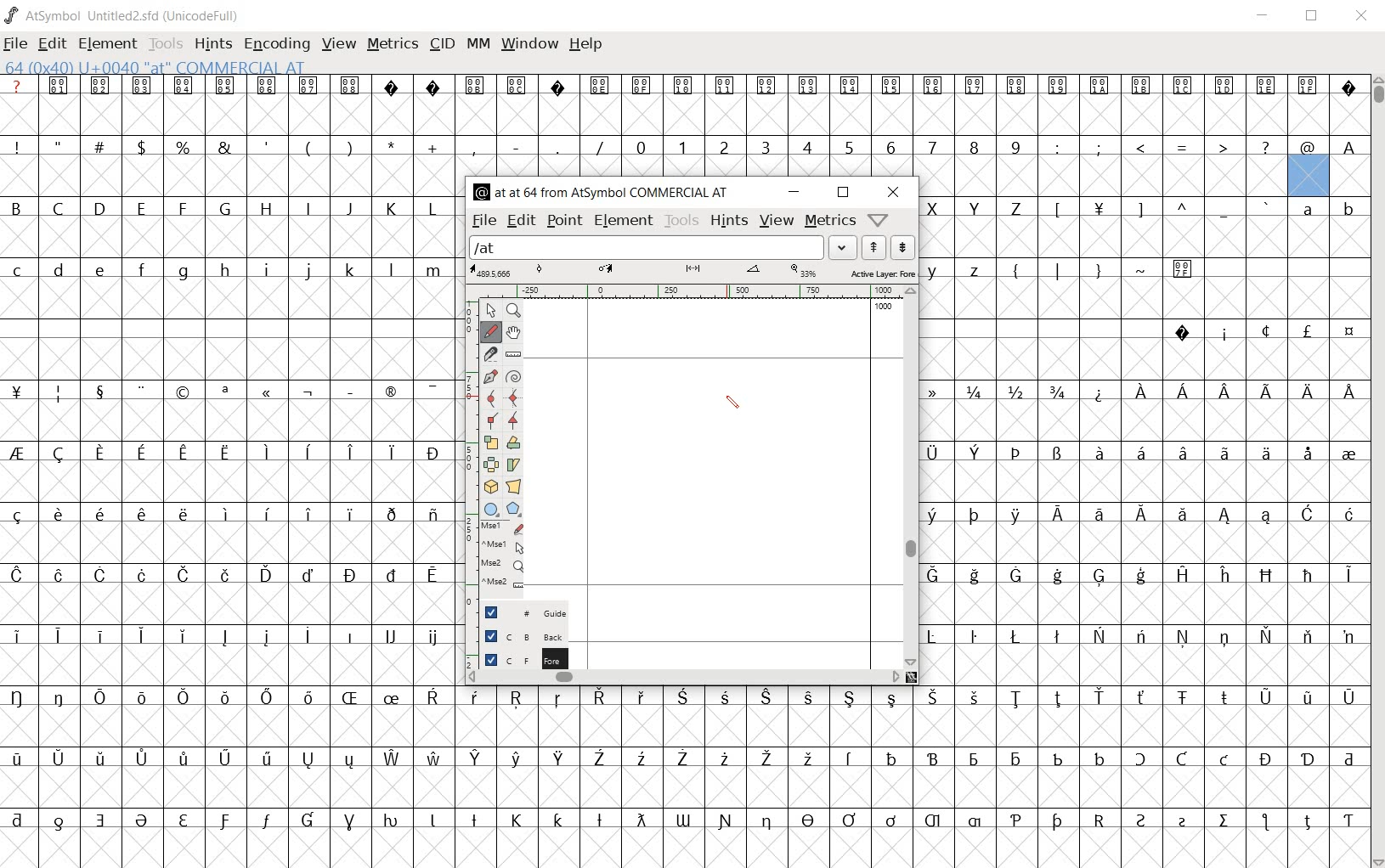  I want to click on glyph, so click(1145, 469).